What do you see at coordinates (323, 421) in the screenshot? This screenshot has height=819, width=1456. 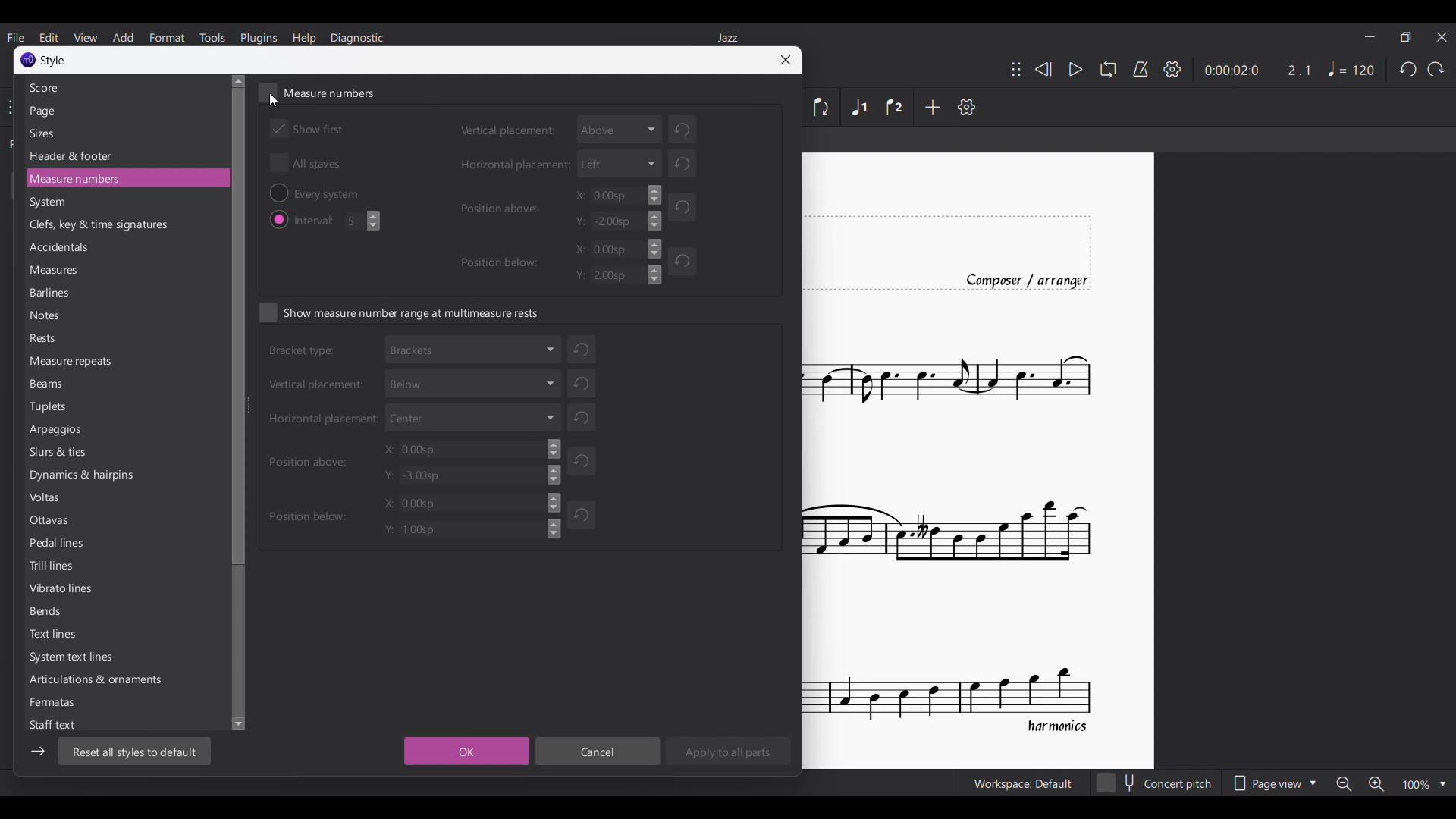 I see `Horizontal` at bounding box center [323, 421].